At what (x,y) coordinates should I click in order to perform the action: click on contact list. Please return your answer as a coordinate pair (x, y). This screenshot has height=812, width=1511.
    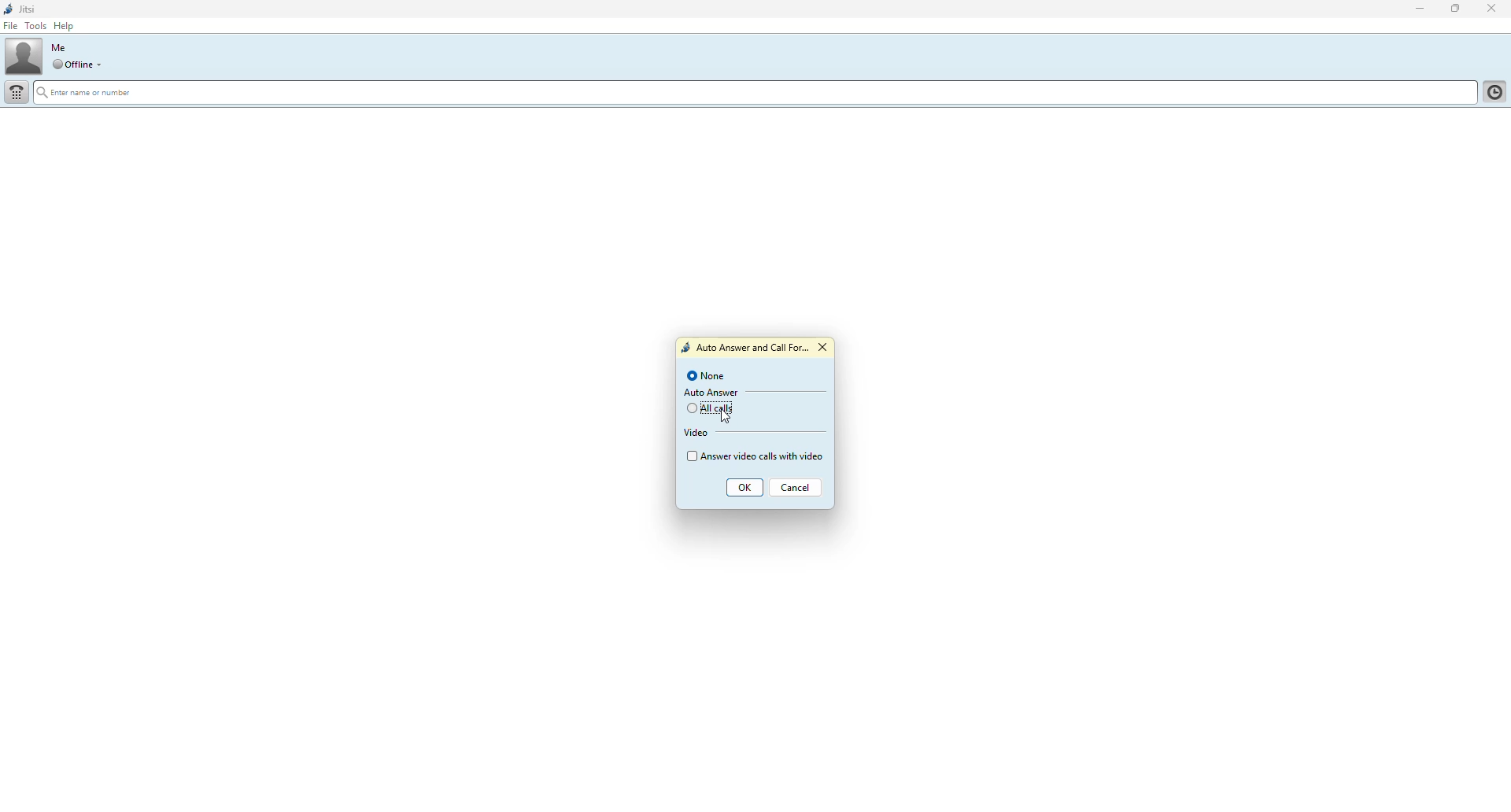
    Looking at the image, I should click on (1492, 94).